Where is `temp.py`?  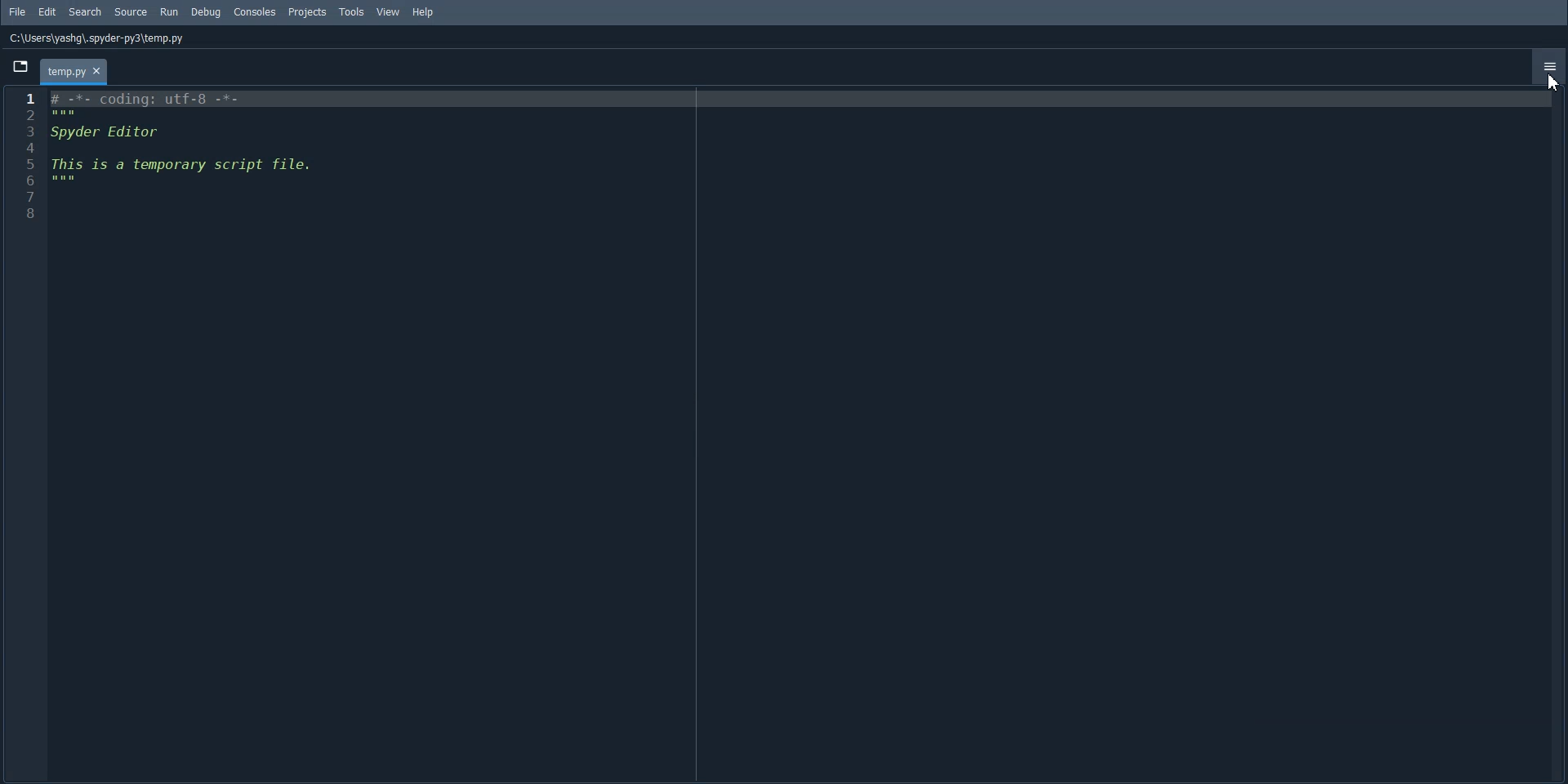 temp.py is located at coordinates (73, 70).